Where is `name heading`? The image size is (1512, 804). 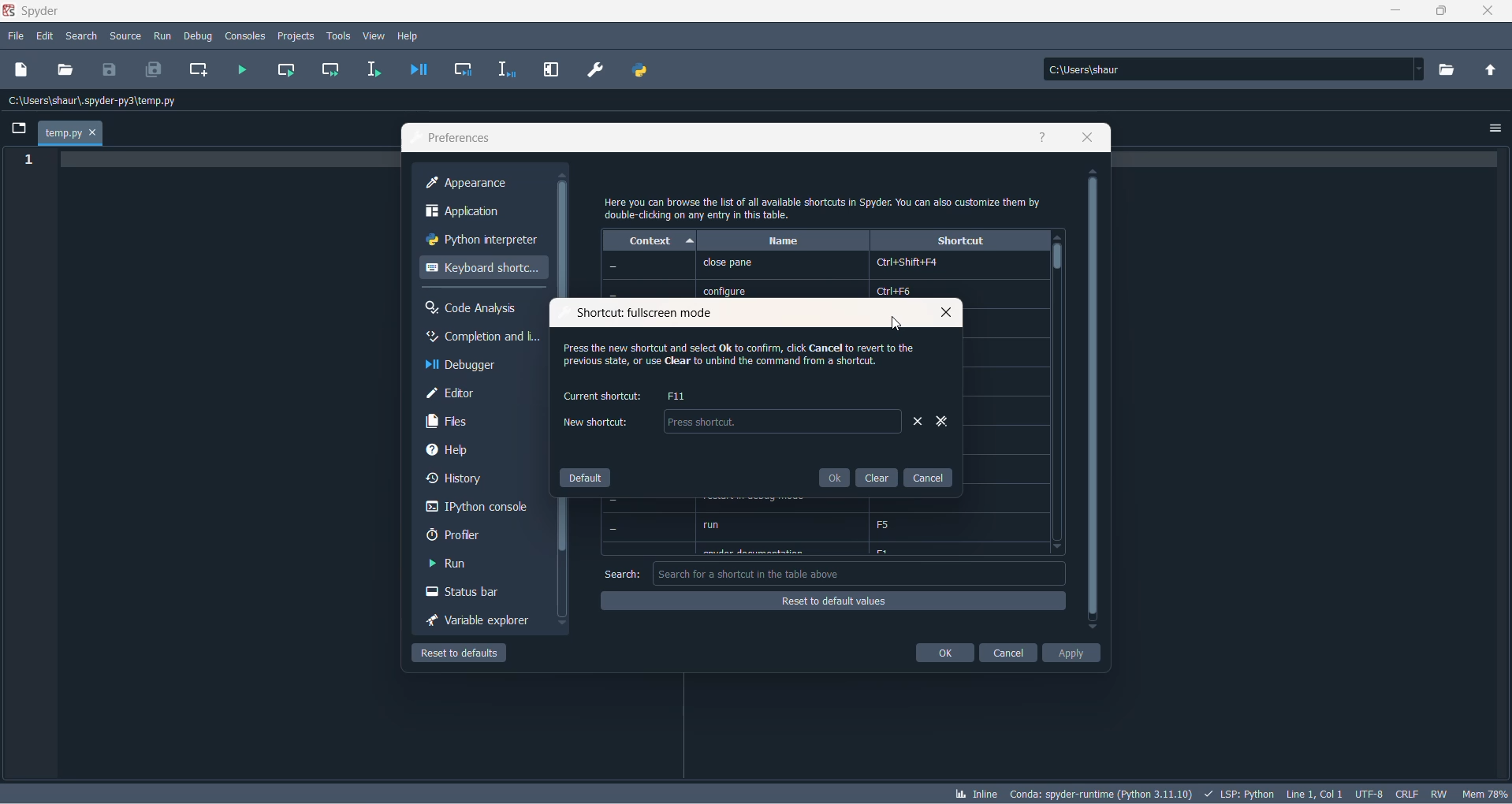
name heading is located at coordinates (783, 241).